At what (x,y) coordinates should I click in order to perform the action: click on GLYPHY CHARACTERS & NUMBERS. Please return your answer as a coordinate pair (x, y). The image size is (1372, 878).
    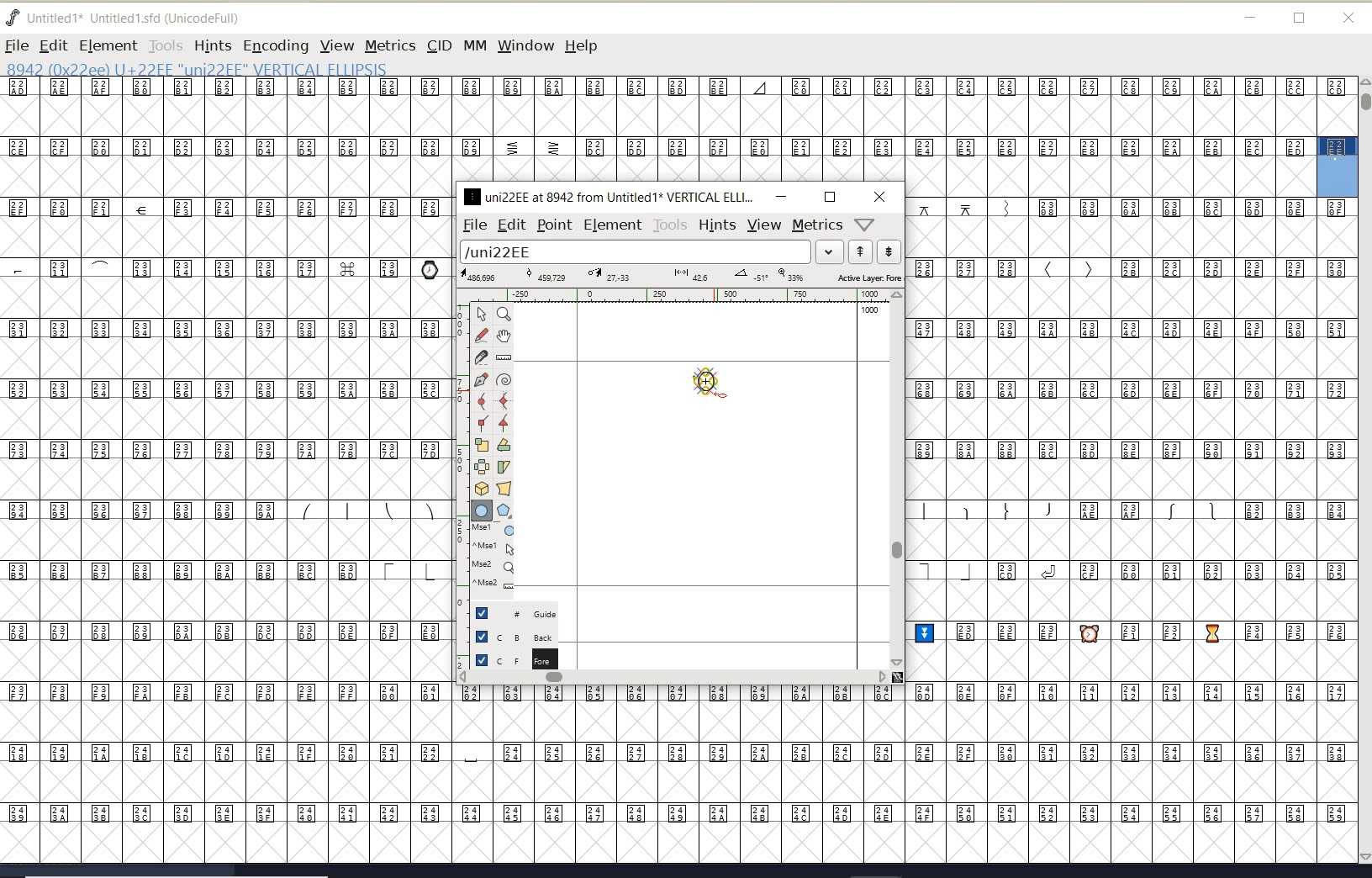
    Looking at the image, I should click on (1133, 530).